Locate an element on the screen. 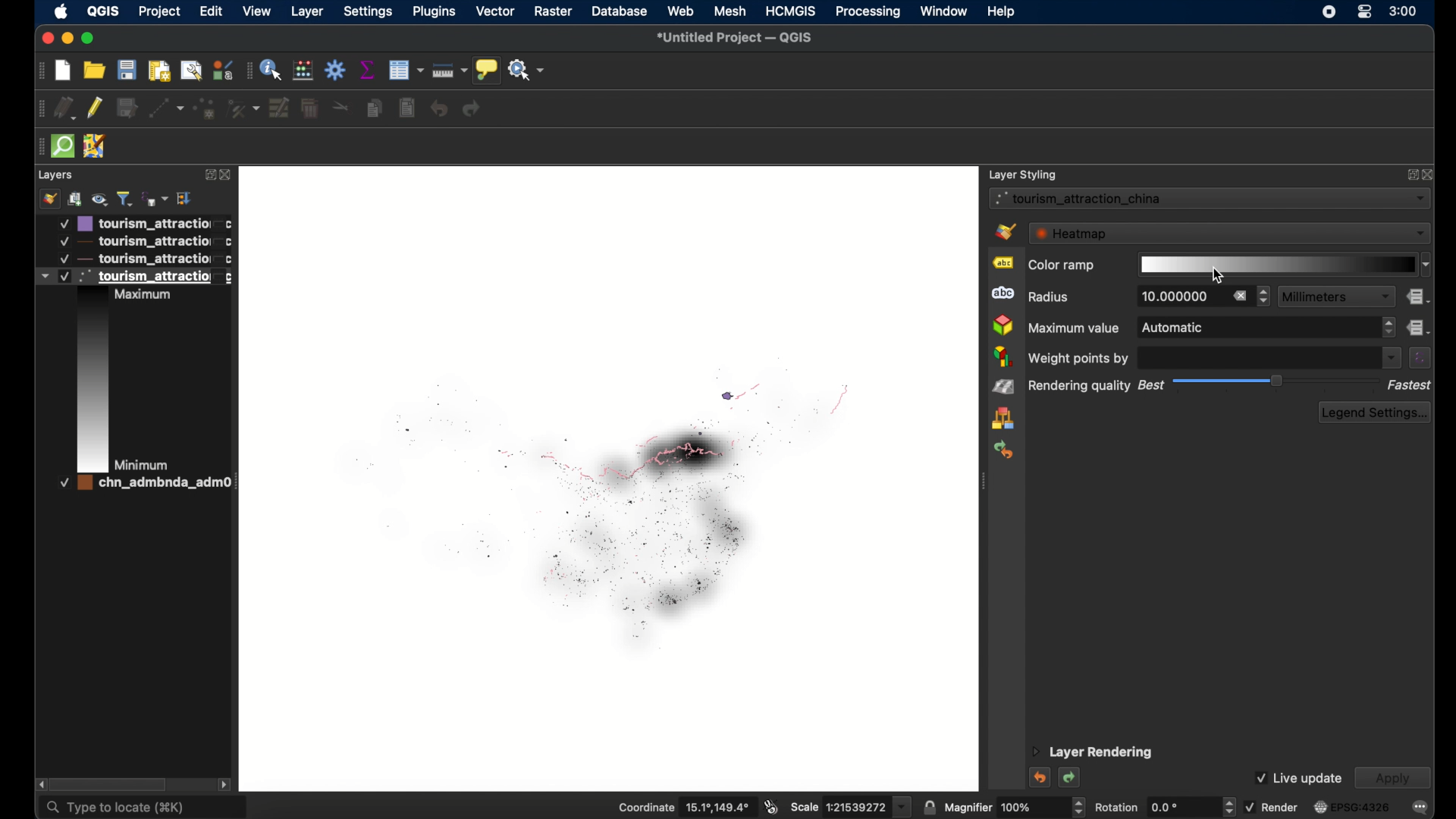  labels is located at coordinates (1002, 263).